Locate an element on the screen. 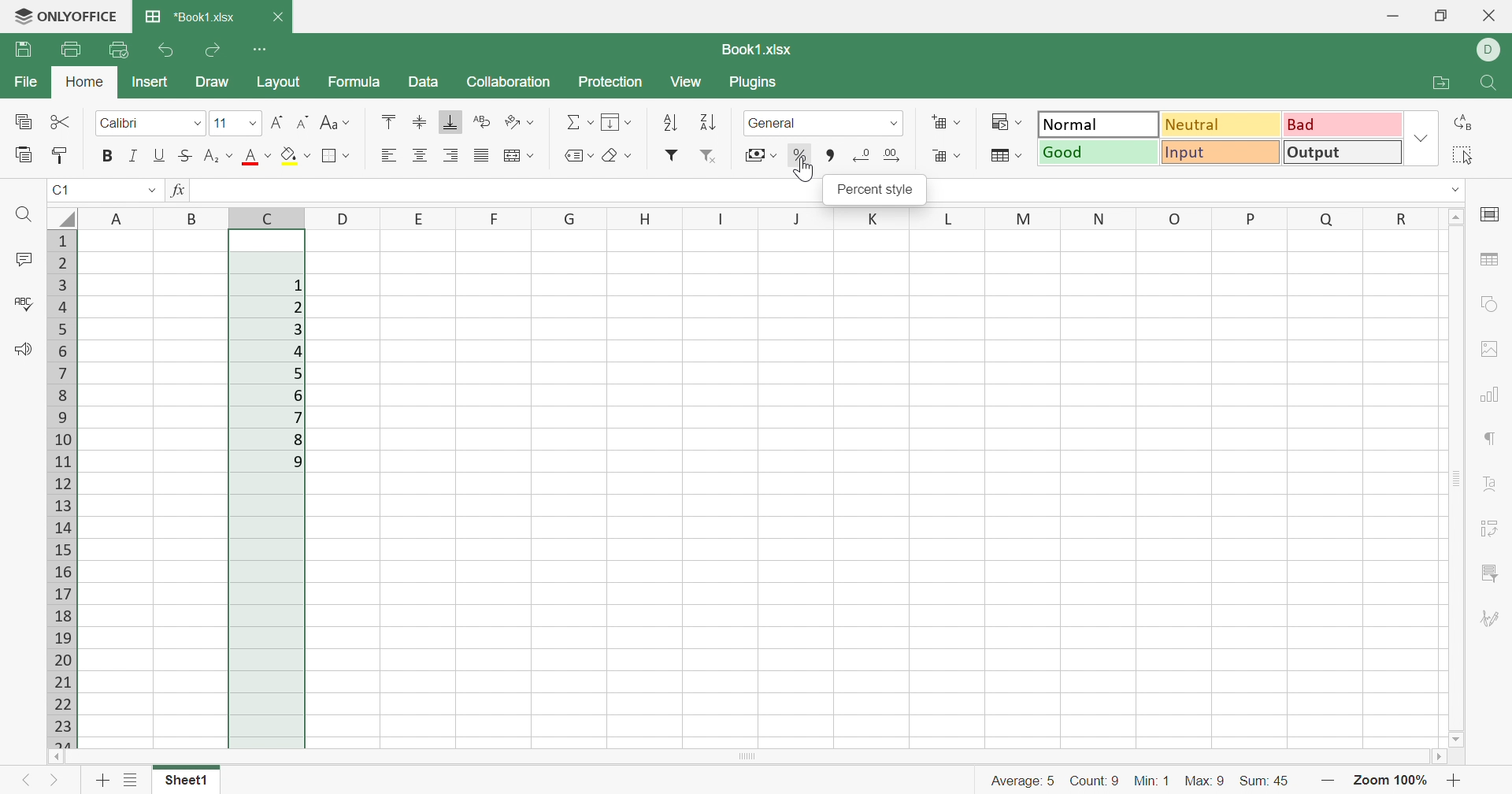 The image size is (1512, 794). Drop Down is located at coordinates (1421, 141).